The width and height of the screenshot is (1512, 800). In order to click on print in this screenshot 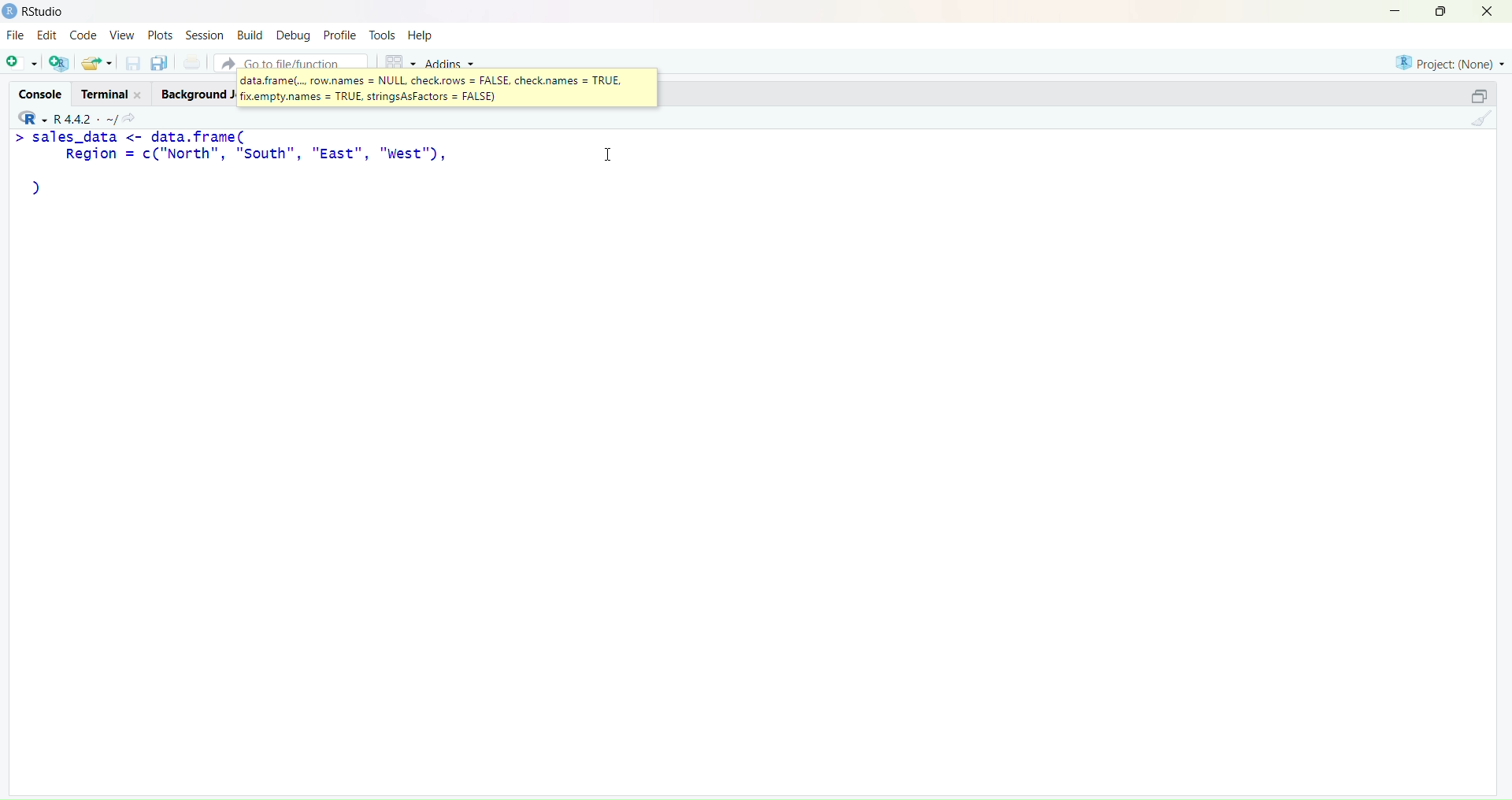, I will do `click(192, 65)`.